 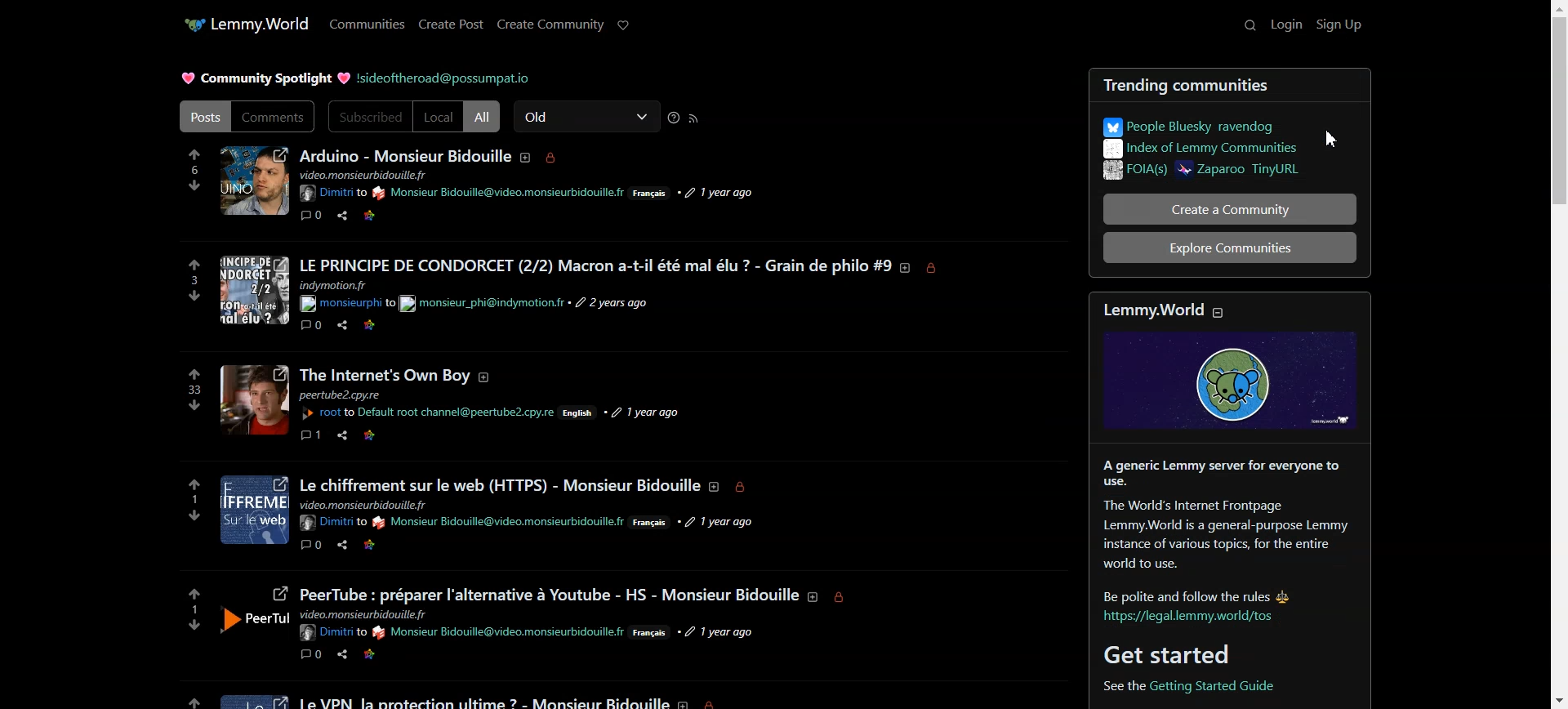 What do you see at coordinates (371, 546) in the screenshot?
I see `link` at bounding box center [371, 546].